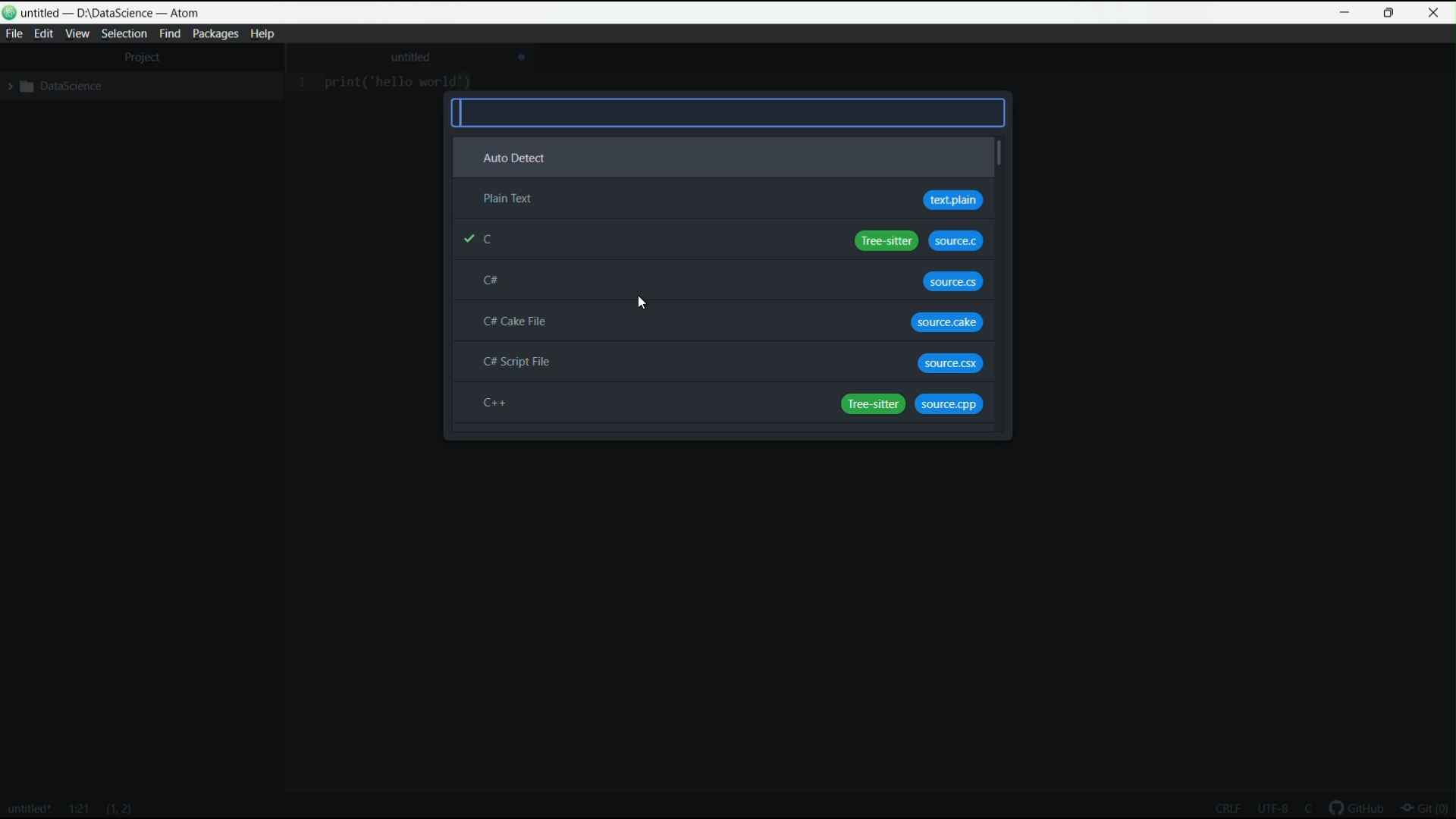 This screenshot has height=819, width=1456. I want to click on edit menu, so click(44, 34).